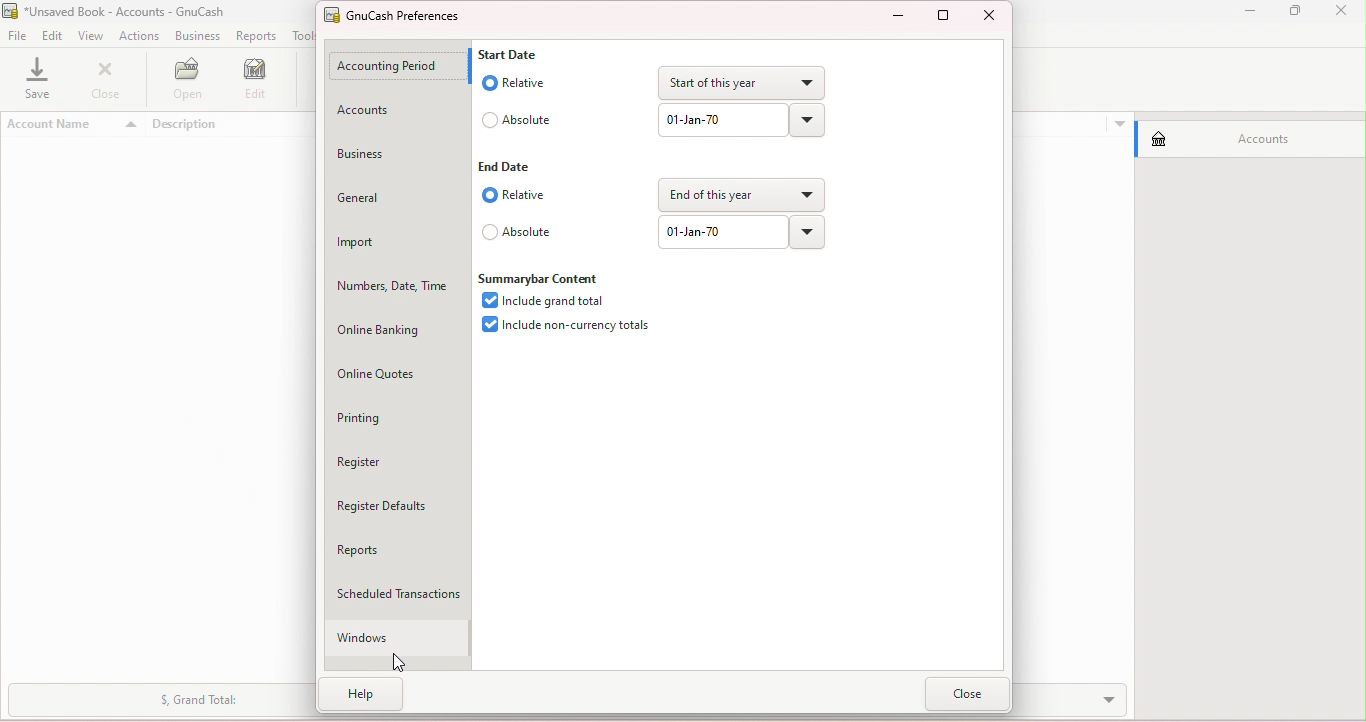 This screenshot has width=1366, height=722. I want to click on Save, so click(41, 81).